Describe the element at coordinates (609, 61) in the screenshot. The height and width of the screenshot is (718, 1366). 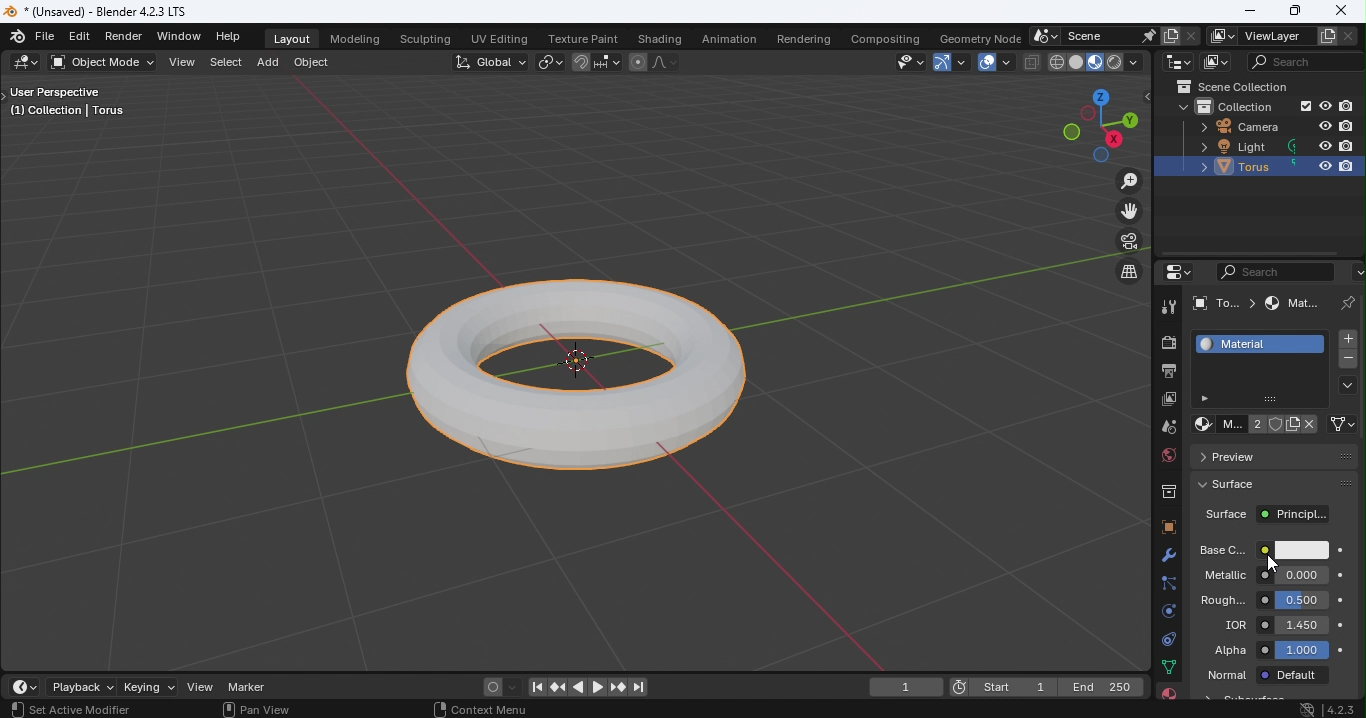
I see `Snapping` at that location.